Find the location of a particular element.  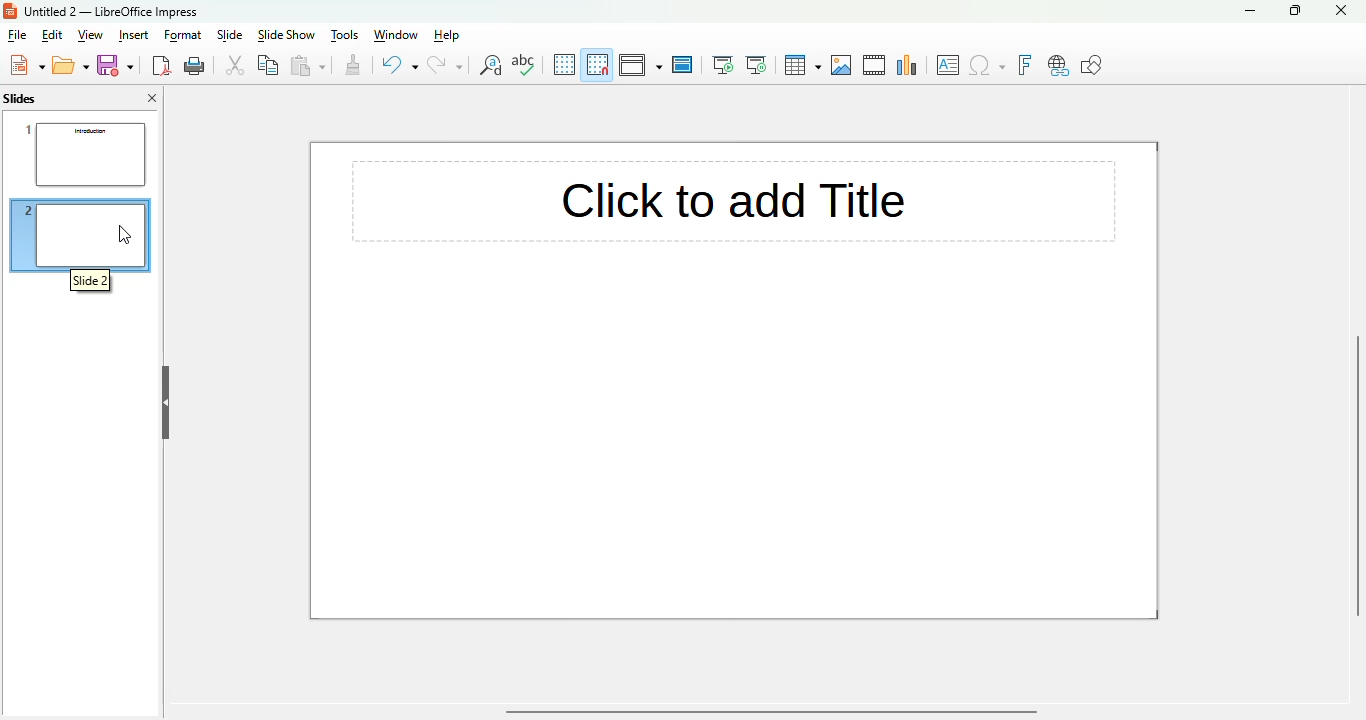

cursor is located at coordinates (125, 233).